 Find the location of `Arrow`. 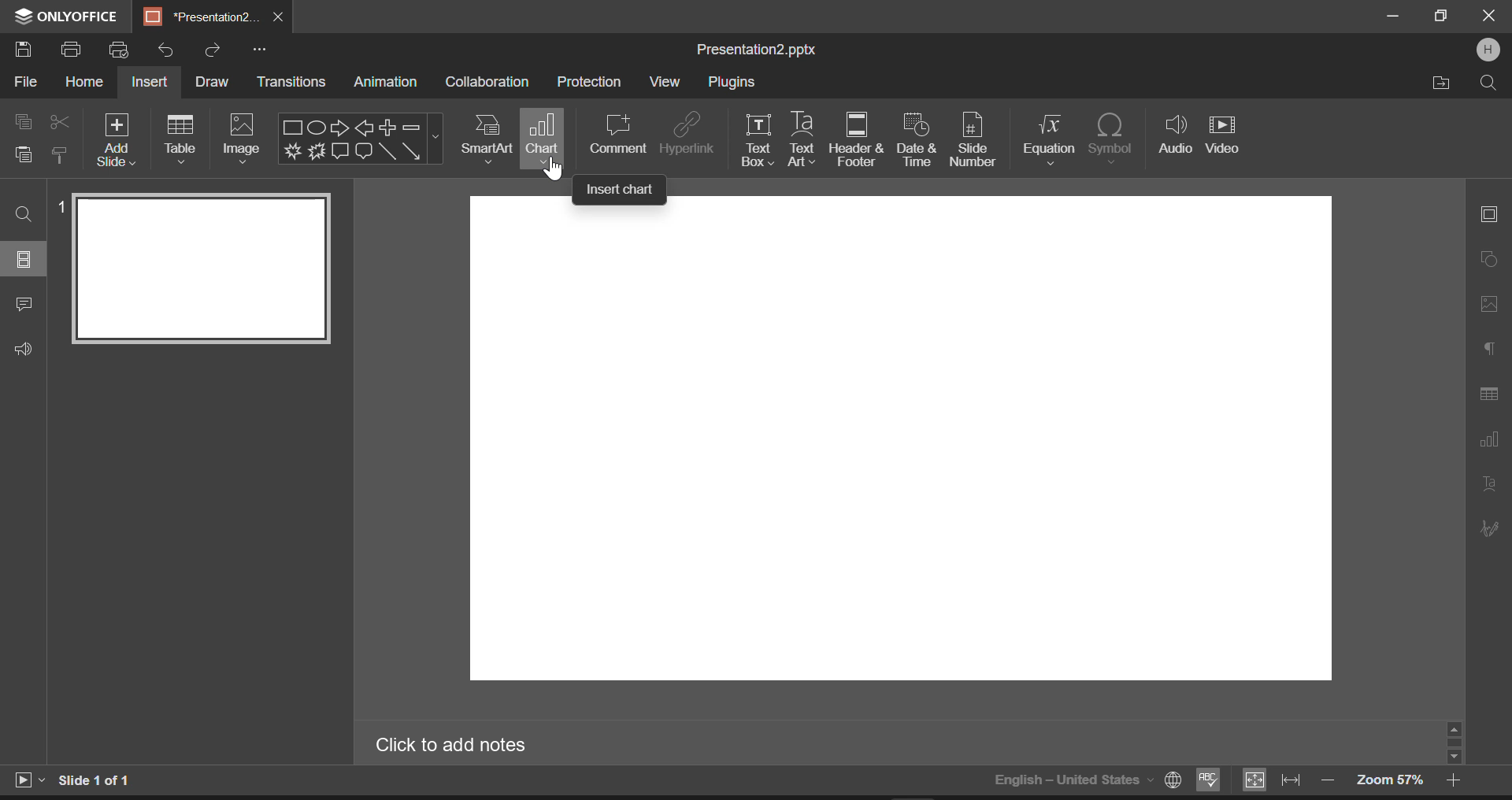

Arrow is located at coordinates (413, 150).